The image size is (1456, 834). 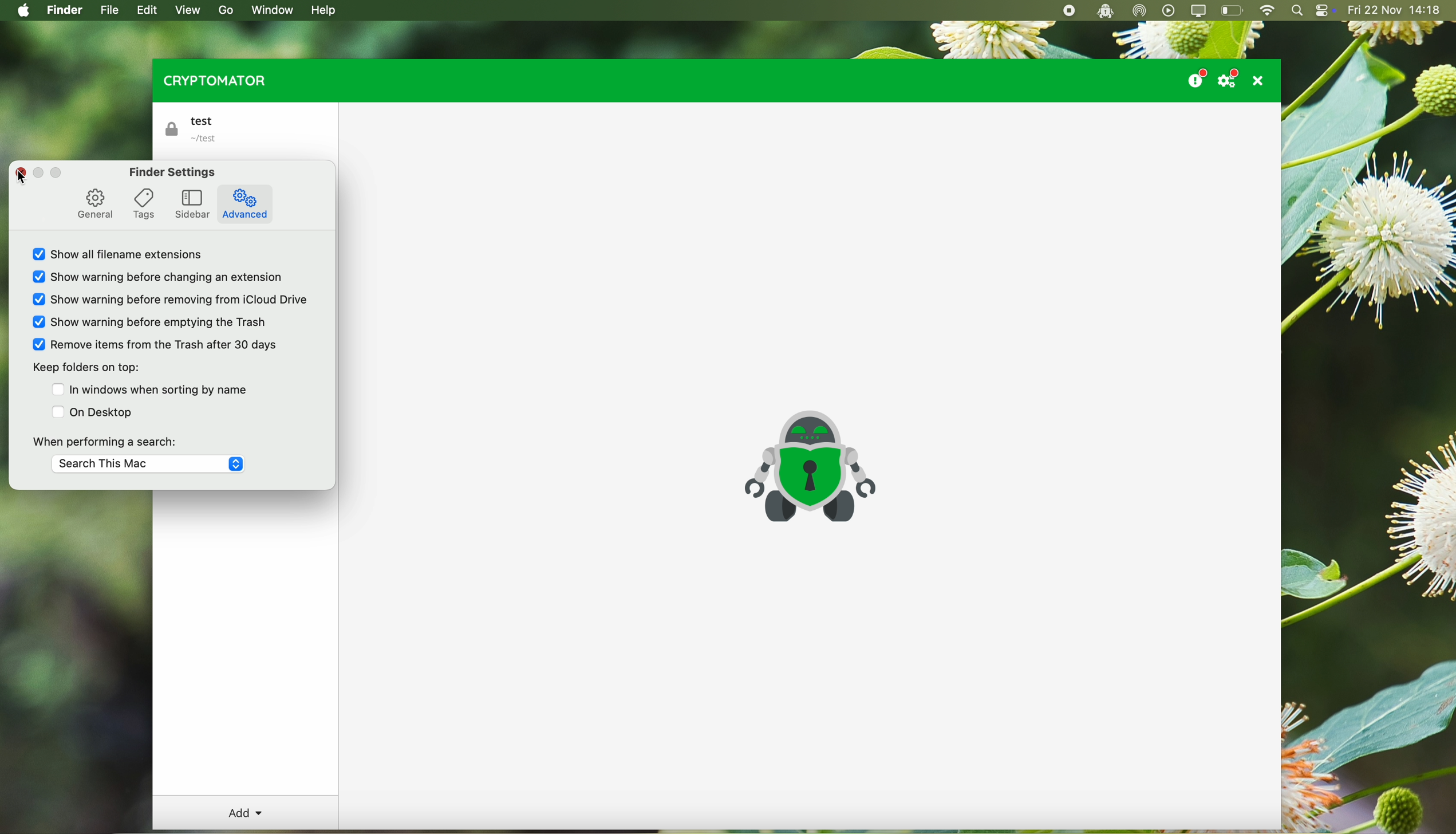 I want to click on cryptomator, so click(x=212, y=80).